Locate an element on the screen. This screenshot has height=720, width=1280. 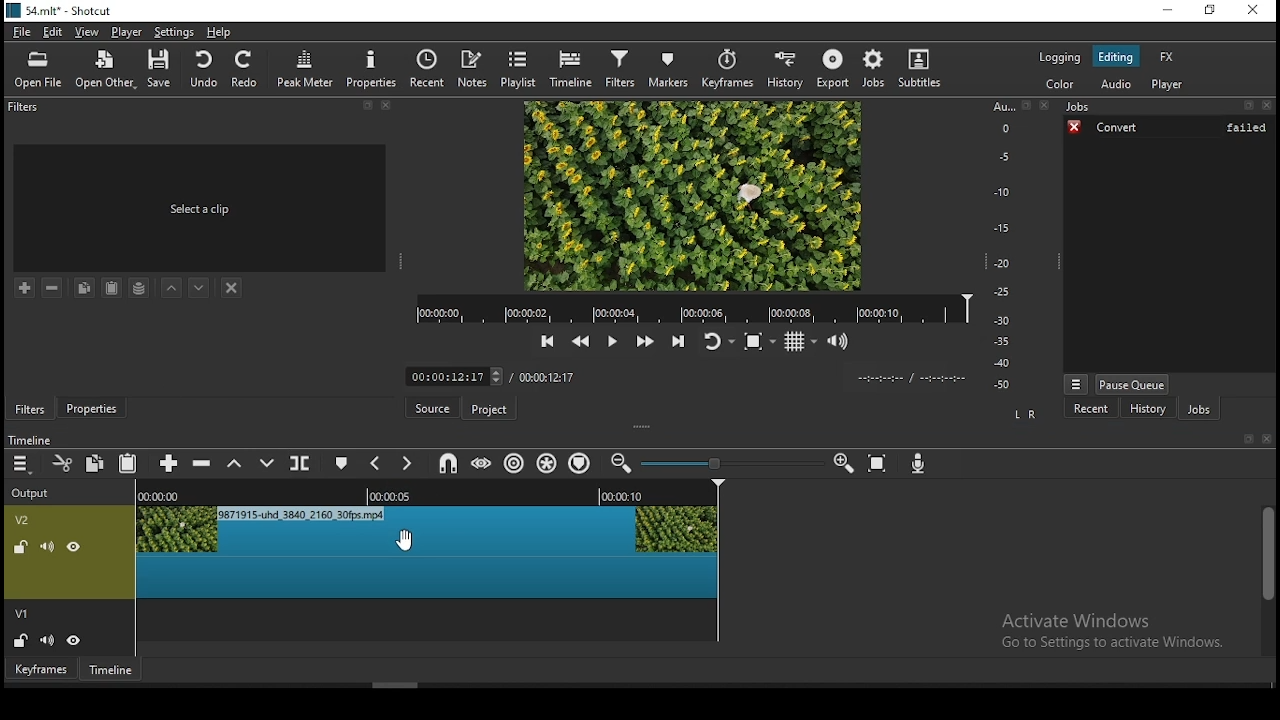
zoom timeline out is located at coordinates (841, 465).